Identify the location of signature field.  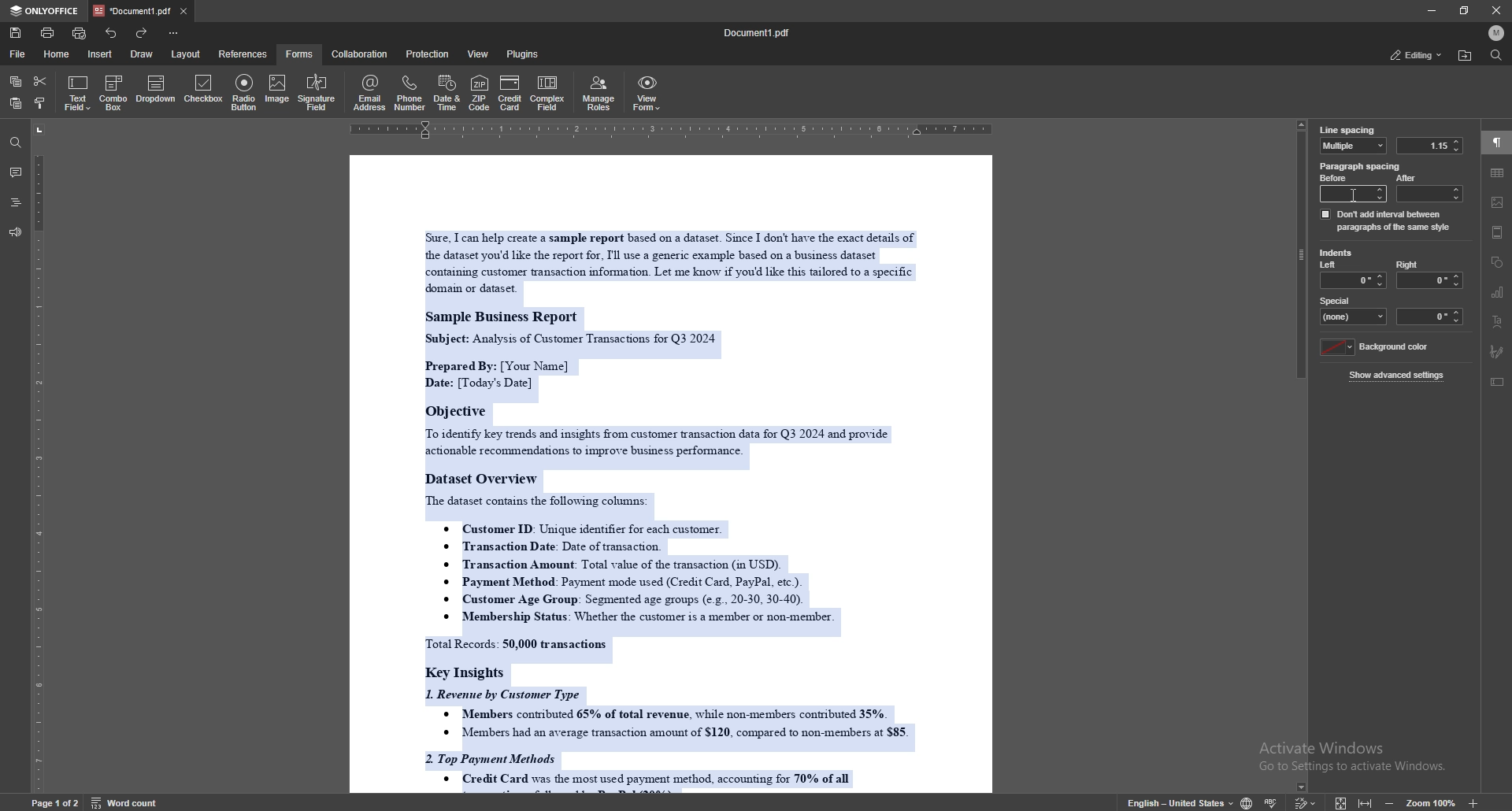
(1498, 352).